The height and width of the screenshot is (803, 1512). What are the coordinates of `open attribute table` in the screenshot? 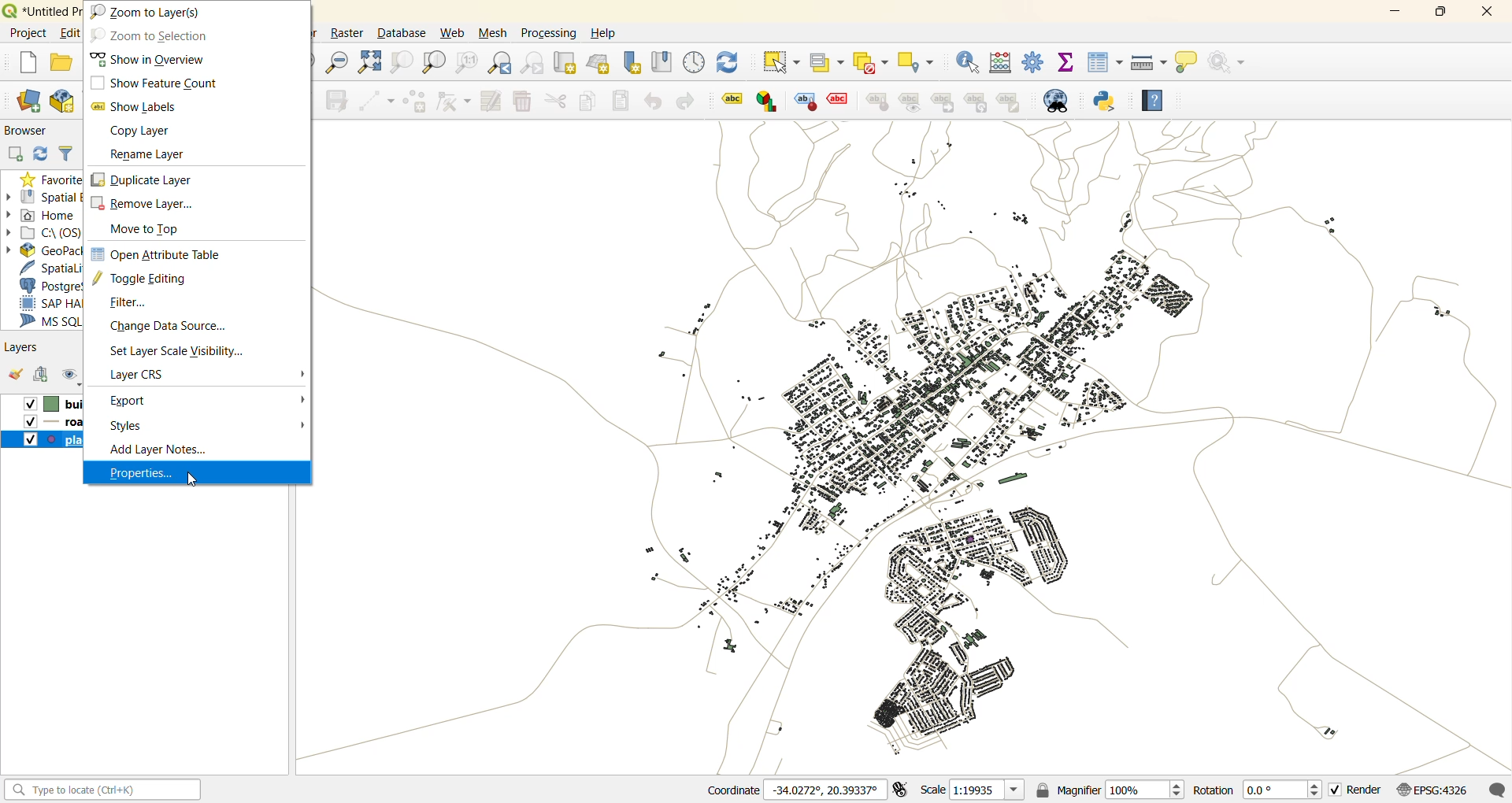 It's located at (161, 256).